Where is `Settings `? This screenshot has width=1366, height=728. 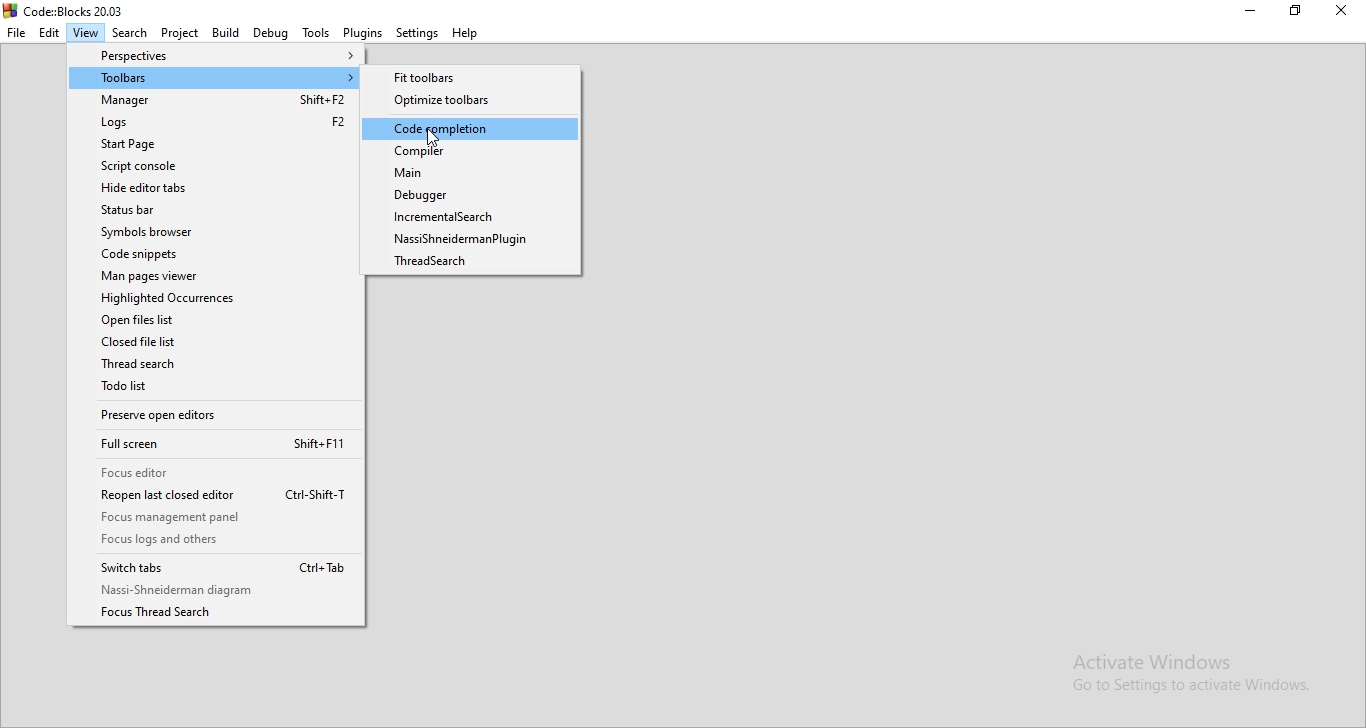 Settings  is located at coordinates (418, 33).